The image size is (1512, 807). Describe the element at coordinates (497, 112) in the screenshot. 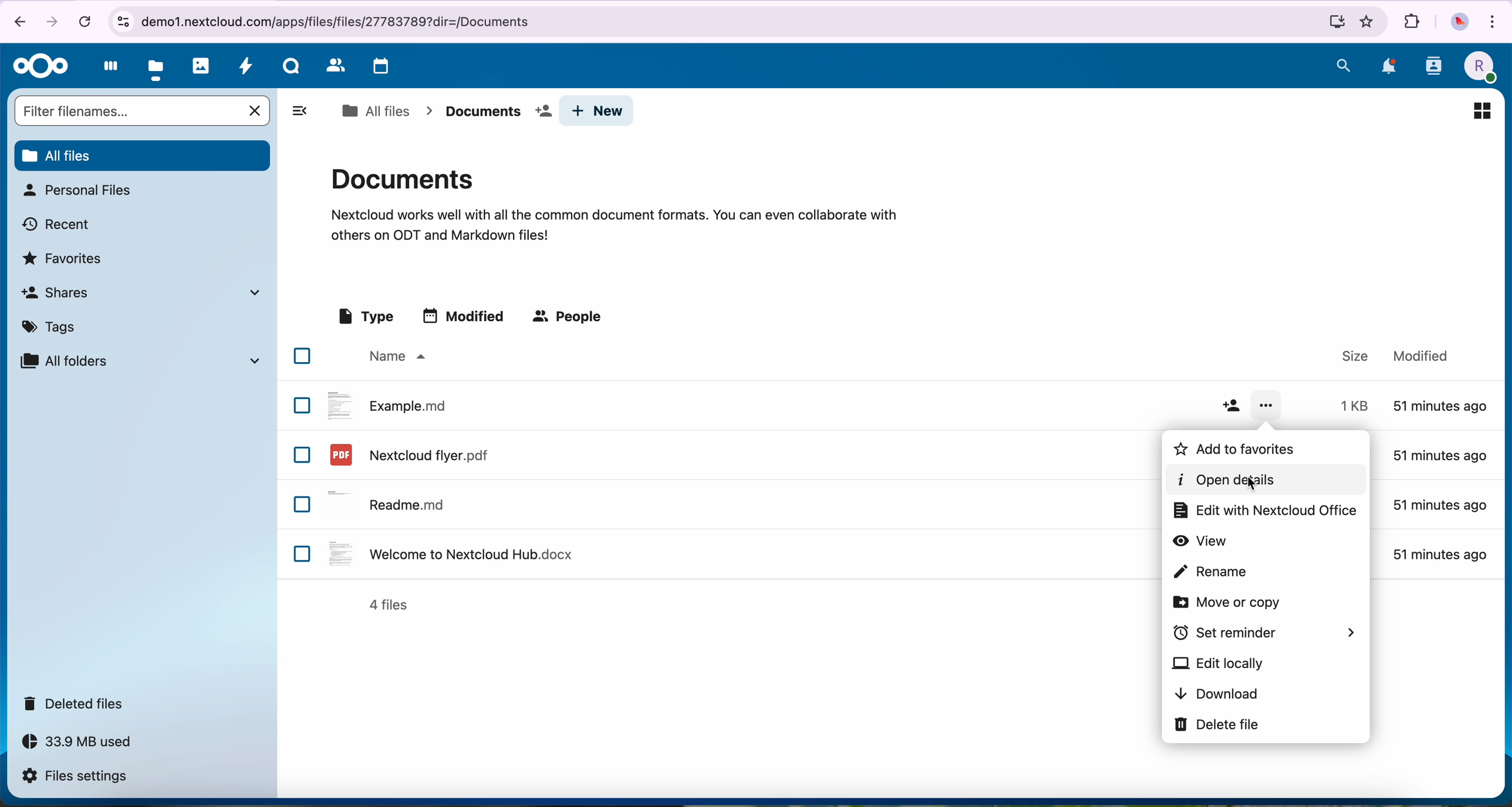

I see `documents` at that location.